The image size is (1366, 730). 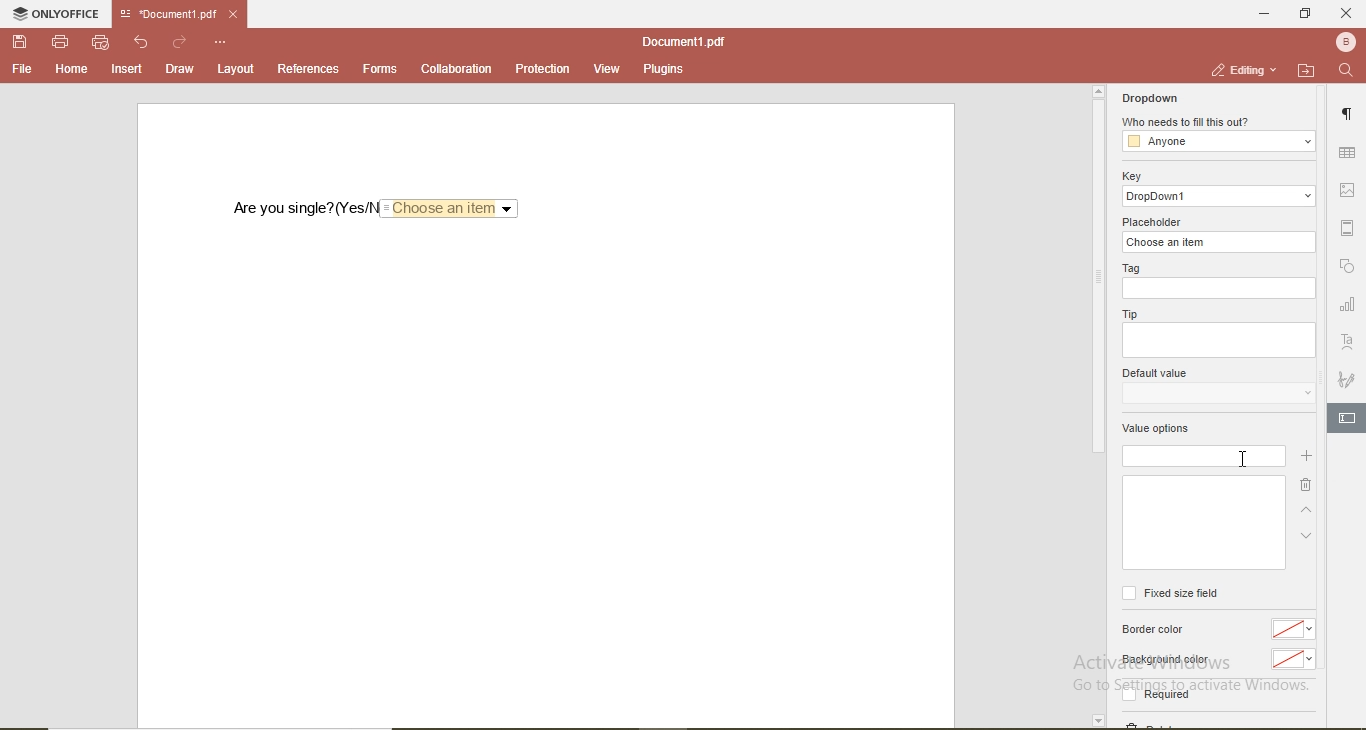 What do you see at coordinates (1218, 290) in the screenshot?
I see `empty box` at bounding box center [1218, 290].